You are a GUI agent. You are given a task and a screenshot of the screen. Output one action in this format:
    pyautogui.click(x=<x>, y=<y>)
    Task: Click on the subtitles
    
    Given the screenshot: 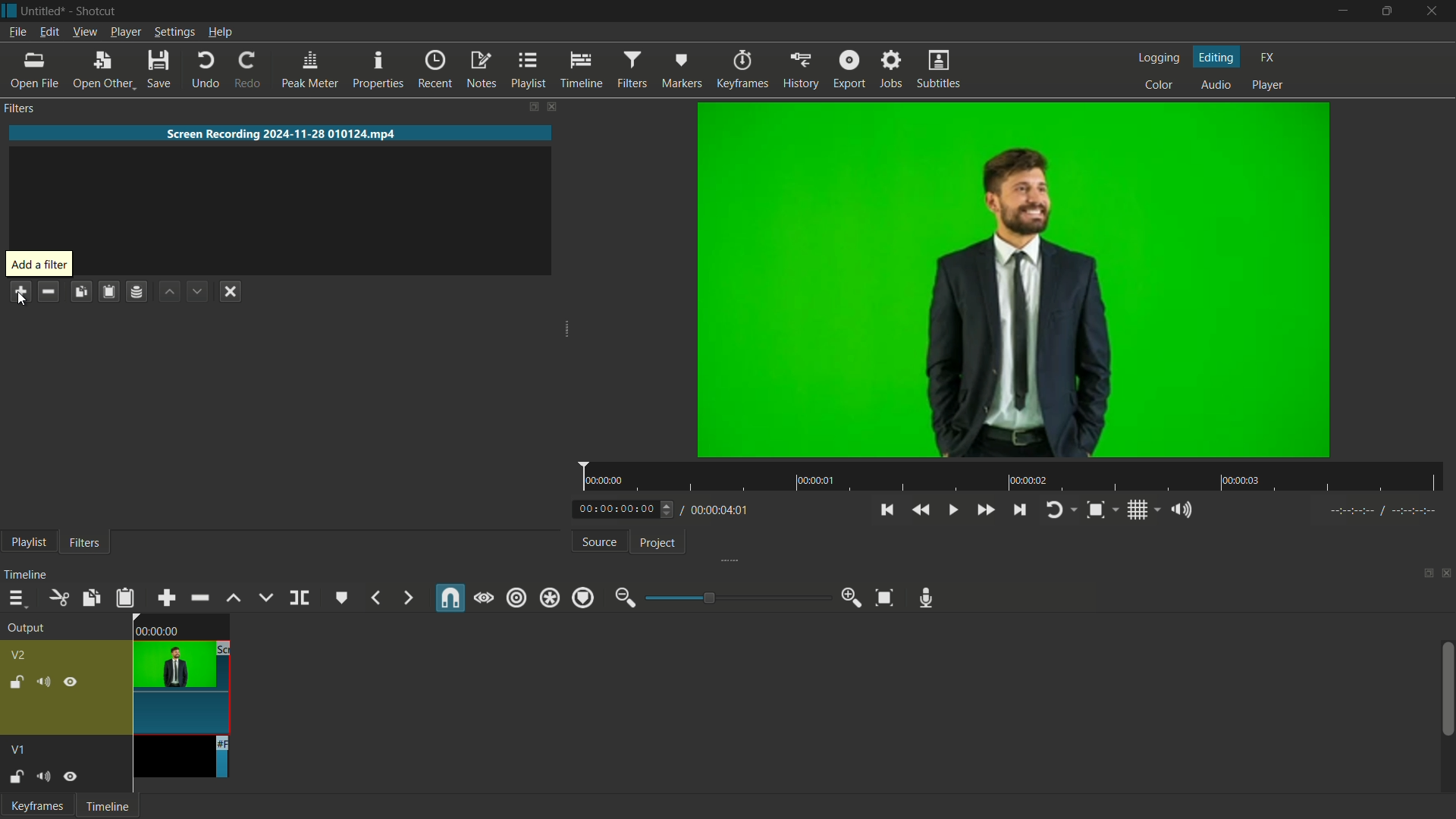 What is the action you would take?
    pyautogui.click(x=940, y=69)
    